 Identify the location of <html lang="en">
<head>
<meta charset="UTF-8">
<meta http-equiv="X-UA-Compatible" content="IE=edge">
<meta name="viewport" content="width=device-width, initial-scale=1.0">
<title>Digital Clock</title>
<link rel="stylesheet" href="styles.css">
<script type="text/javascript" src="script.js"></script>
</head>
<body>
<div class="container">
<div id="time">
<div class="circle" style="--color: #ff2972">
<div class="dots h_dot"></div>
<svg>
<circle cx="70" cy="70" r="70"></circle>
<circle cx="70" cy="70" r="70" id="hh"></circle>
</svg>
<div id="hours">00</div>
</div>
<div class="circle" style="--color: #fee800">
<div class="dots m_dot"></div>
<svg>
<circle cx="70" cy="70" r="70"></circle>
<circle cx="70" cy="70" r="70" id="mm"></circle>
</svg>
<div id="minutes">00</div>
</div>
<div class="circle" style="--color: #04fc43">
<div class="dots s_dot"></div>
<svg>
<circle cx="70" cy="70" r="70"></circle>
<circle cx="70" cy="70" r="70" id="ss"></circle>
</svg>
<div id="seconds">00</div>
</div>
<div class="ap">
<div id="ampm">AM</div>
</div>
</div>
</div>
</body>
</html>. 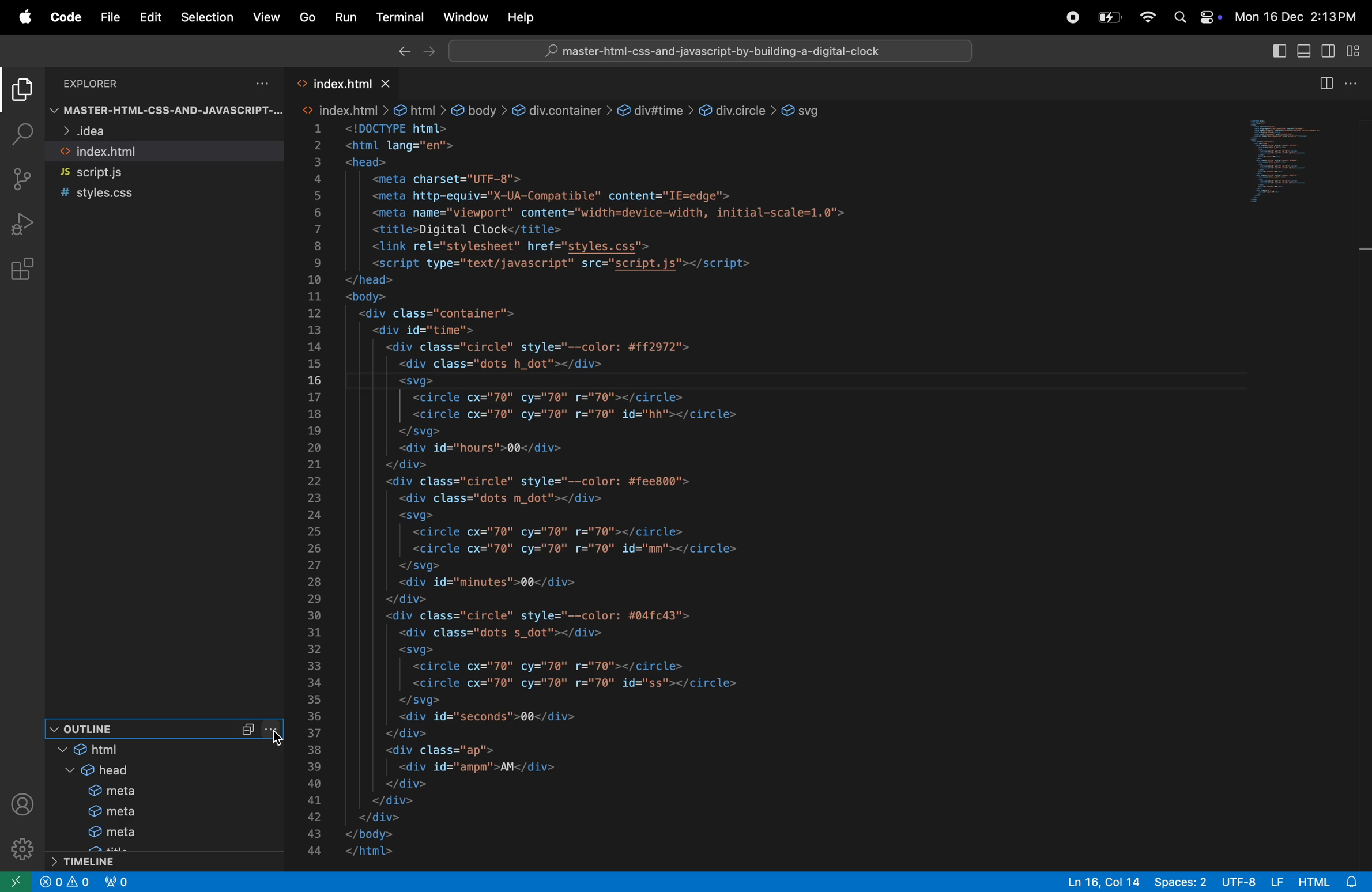
(614, 491).